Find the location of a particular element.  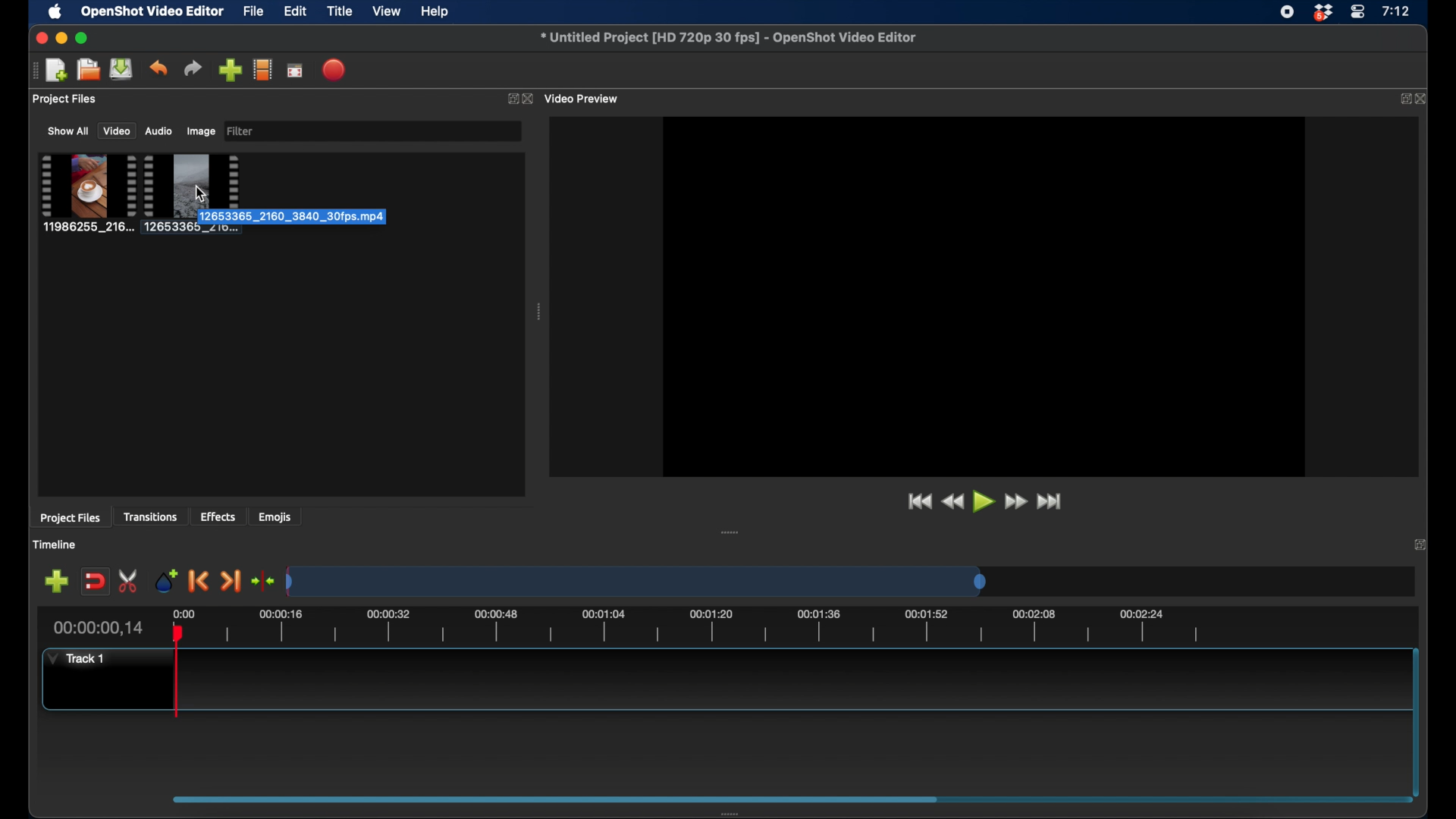

emojis is located at coordinates (276, 516).